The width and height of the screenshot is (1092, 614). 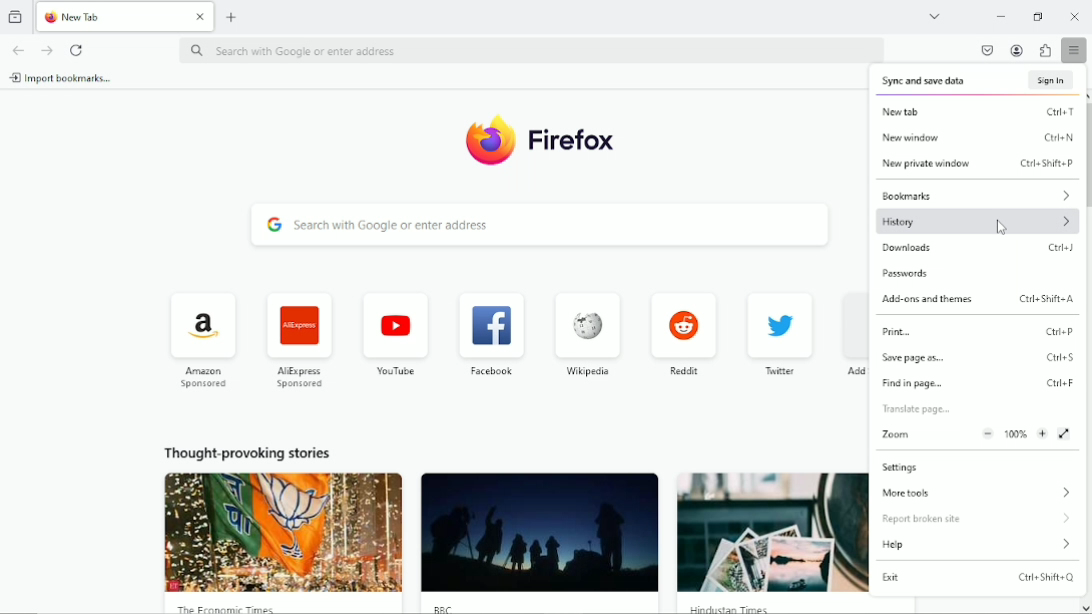 I want to click on Exit Ctrl+Shift+Q, so click(x=981, y=577).